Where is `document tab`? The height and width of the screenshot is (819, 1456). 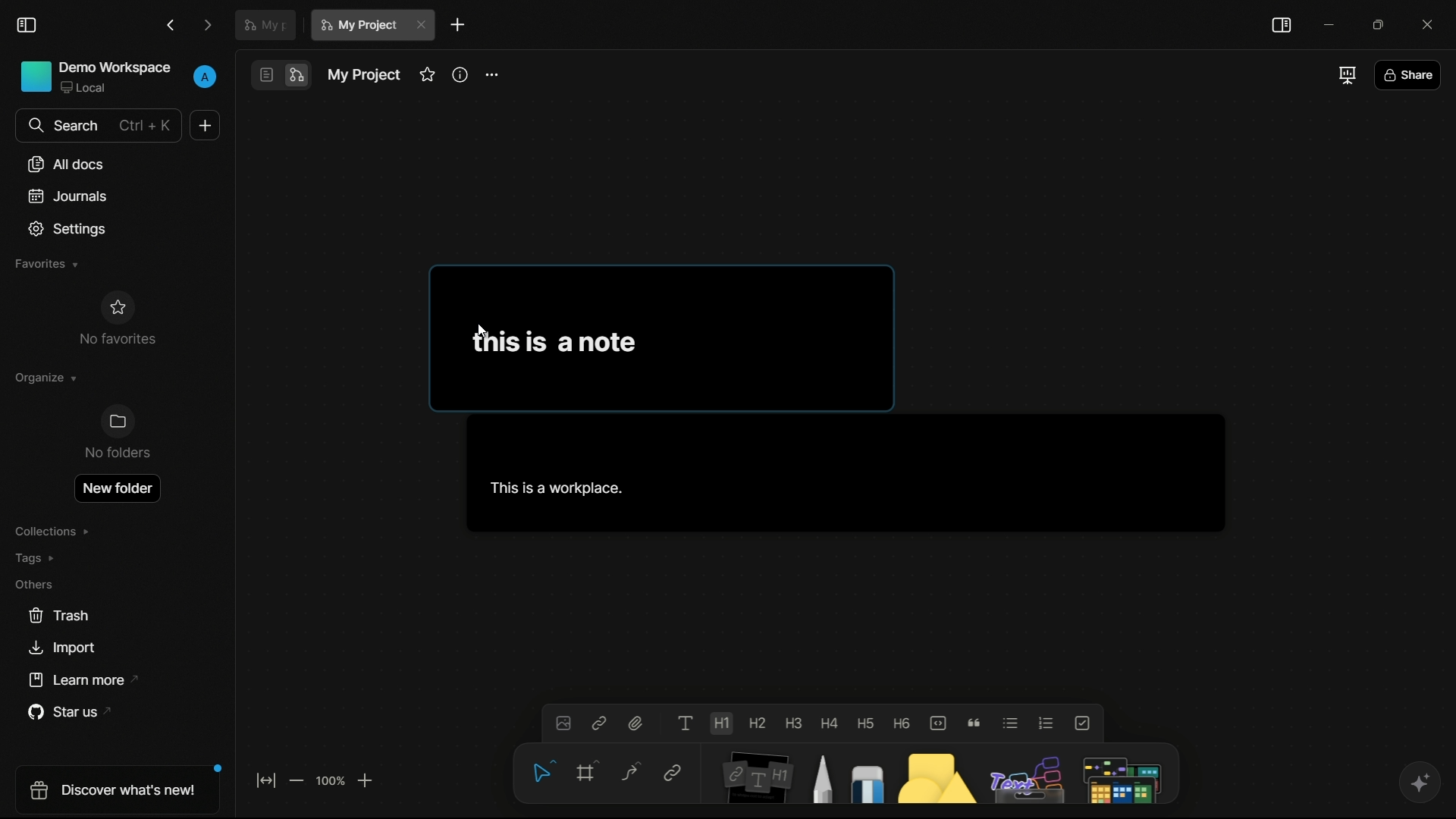
document tab is located at coordinates (265, 24).